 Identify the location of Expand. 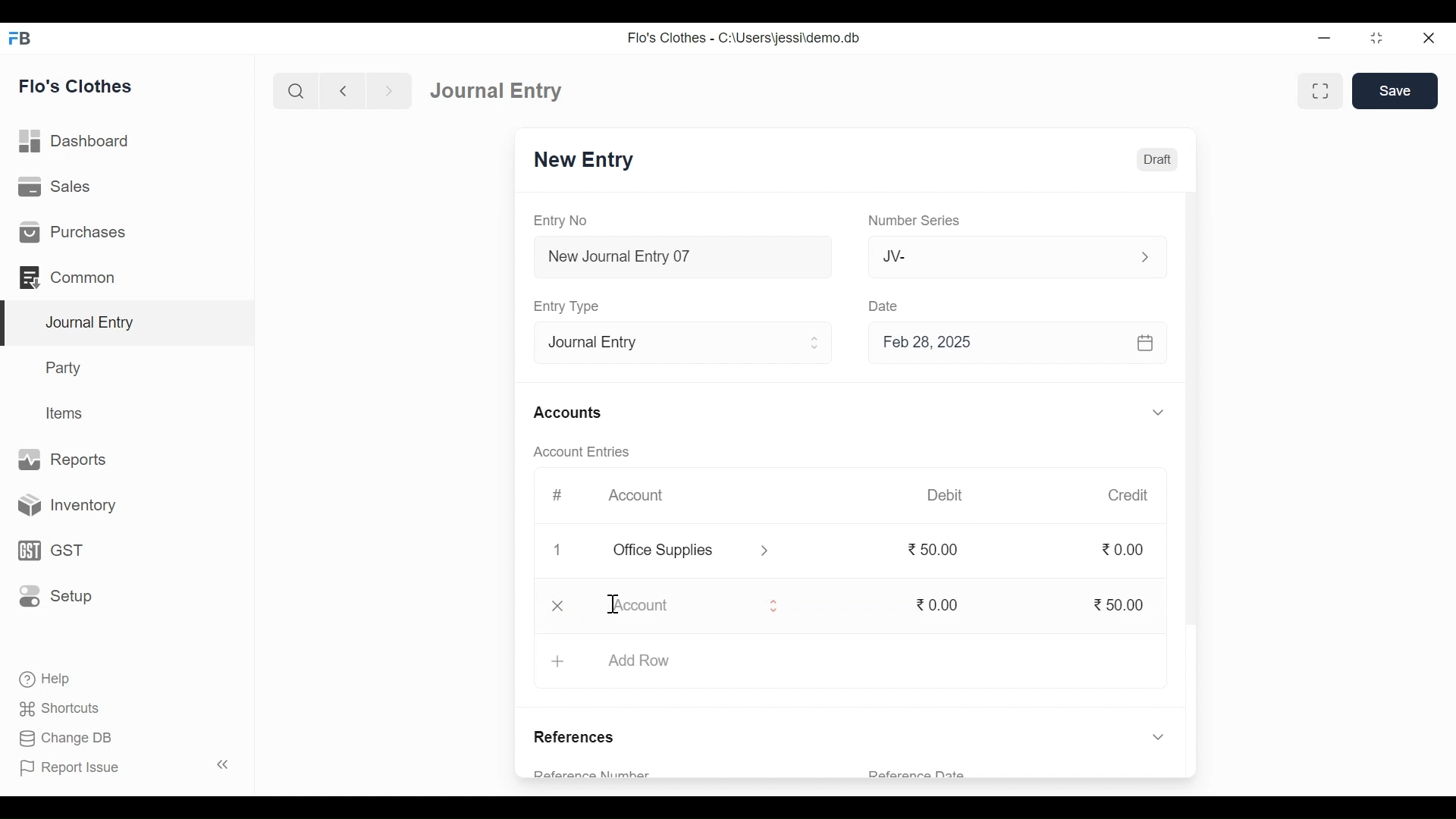
(817, 343).